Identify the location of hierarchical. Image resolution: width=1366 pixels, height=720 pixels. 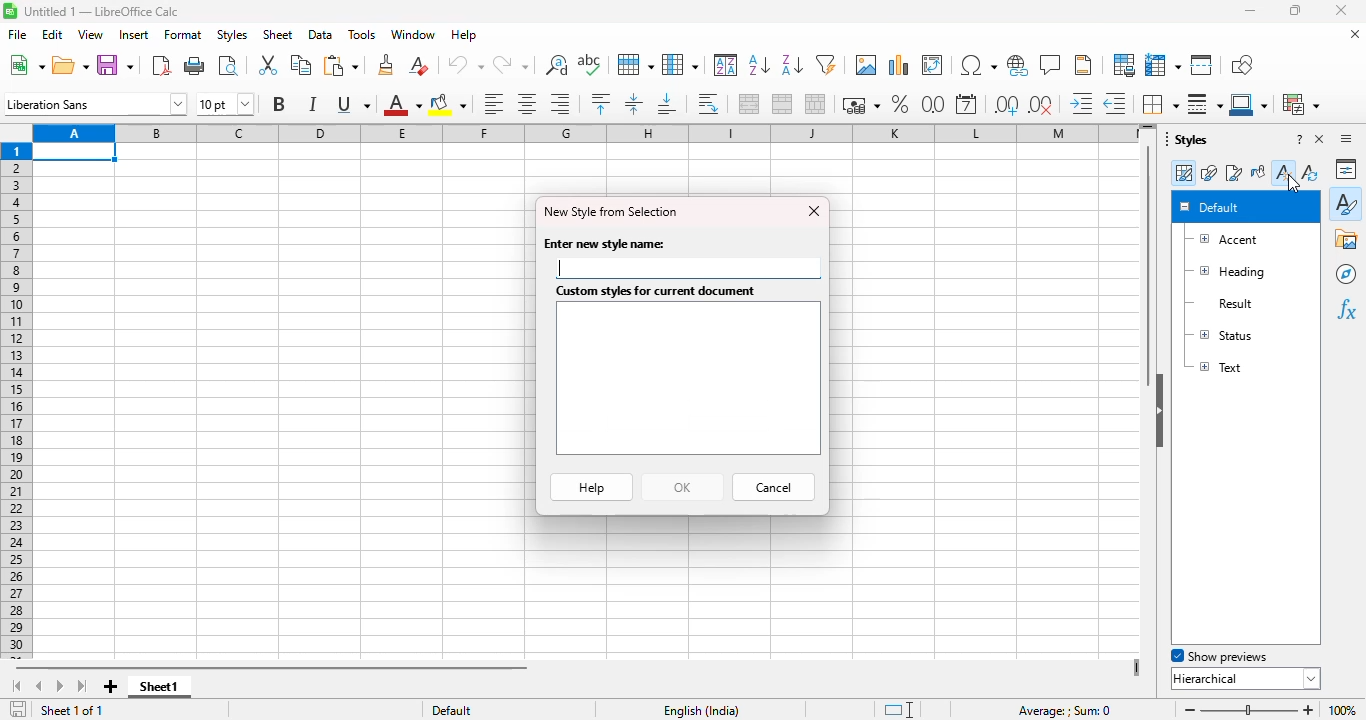
(1246, 678).